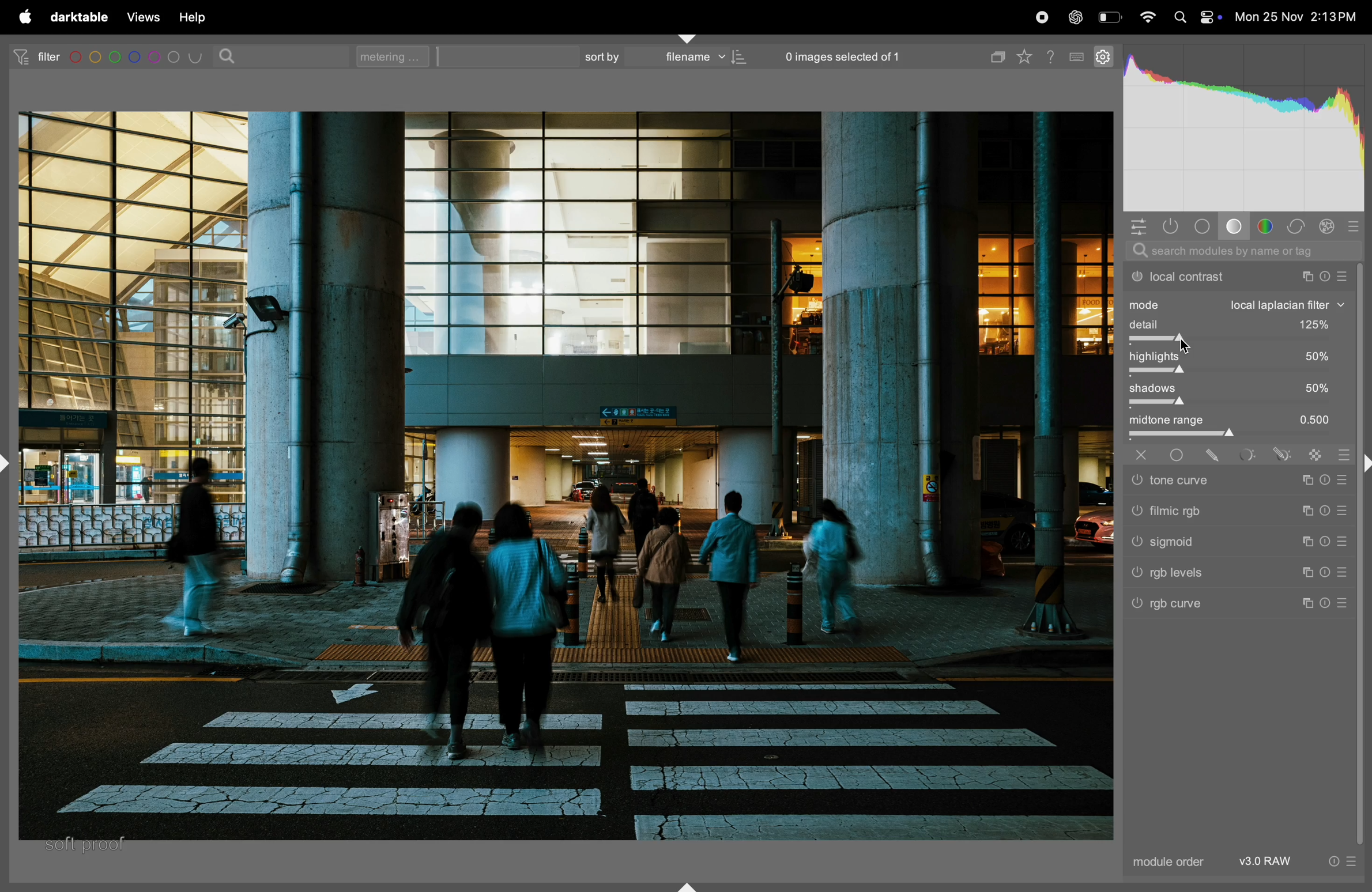 The height and width of the screenshot is (892, 1372). What do you see at coordinates (1249, 455) in the screenshot?
I see `parametric mask` at bounding box center [1249, 455].